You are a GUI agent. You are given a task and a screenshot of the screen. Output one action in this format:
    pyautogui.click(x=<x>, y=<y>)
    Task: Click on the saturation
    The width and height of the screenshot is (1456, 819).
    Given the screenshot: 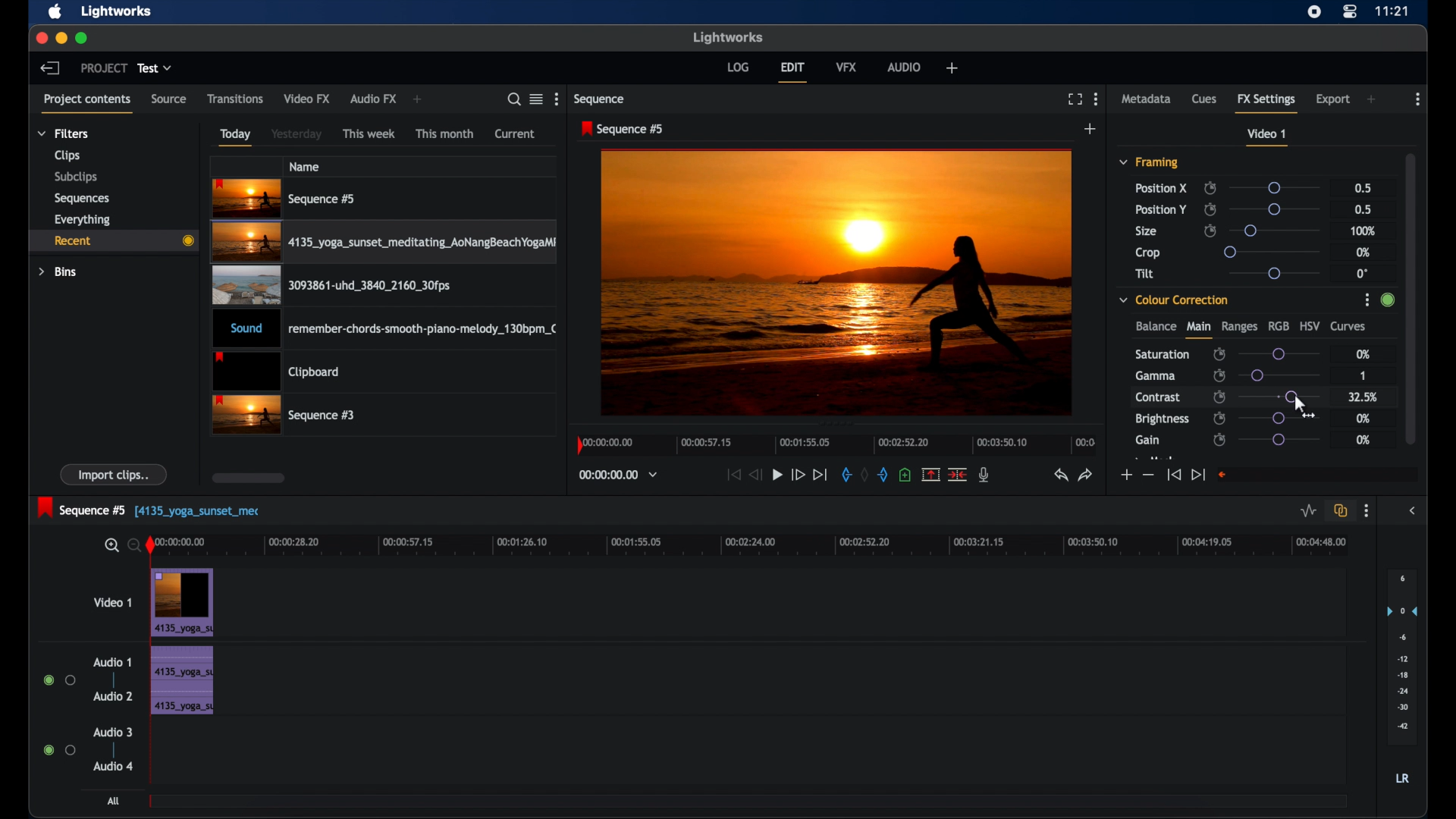 What is the action you would take?
    pyautogui.click(x=1162, y=354)
    